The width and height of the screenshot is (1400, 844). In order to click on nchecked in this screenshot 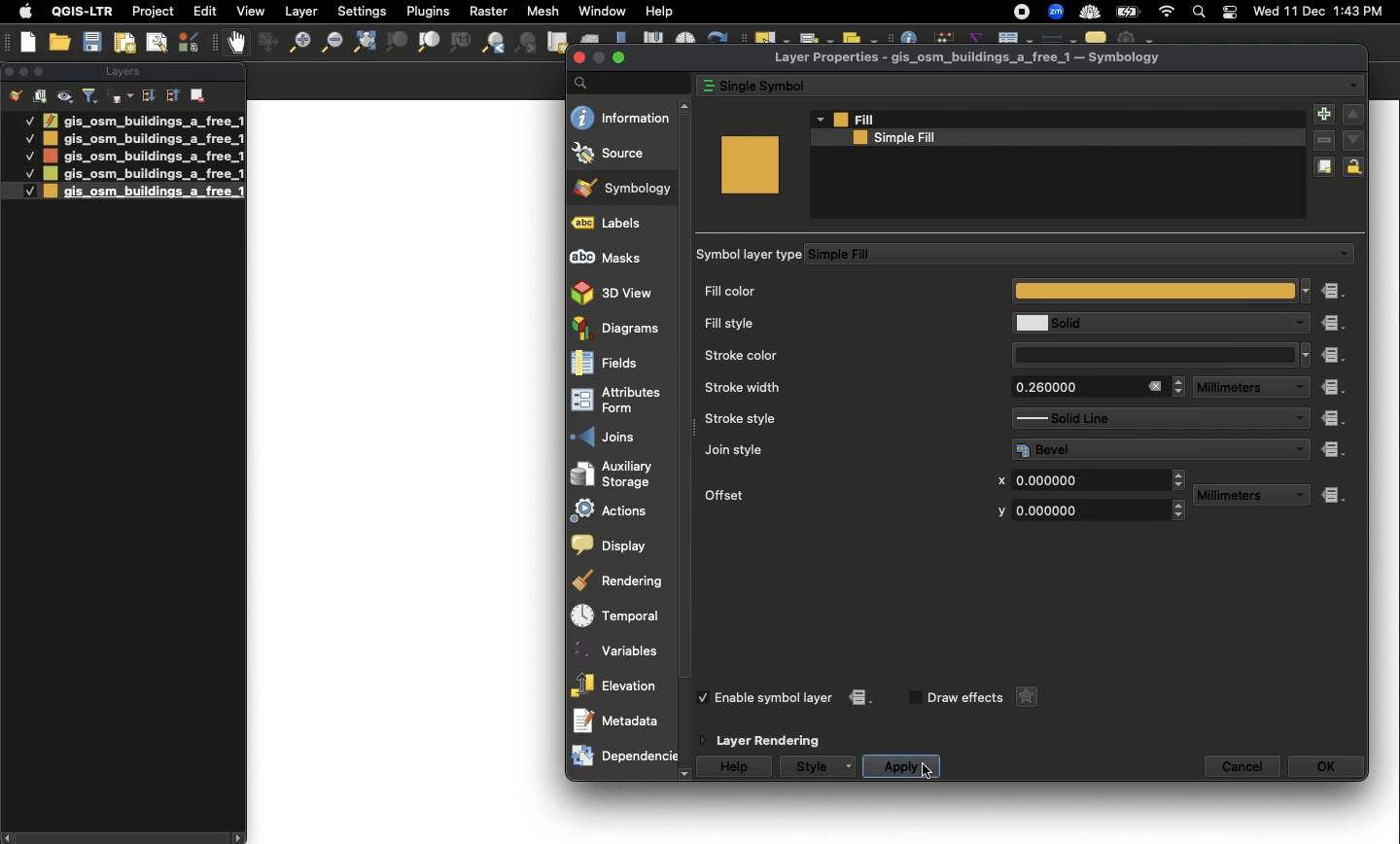, I will do `click(913, 698)`.